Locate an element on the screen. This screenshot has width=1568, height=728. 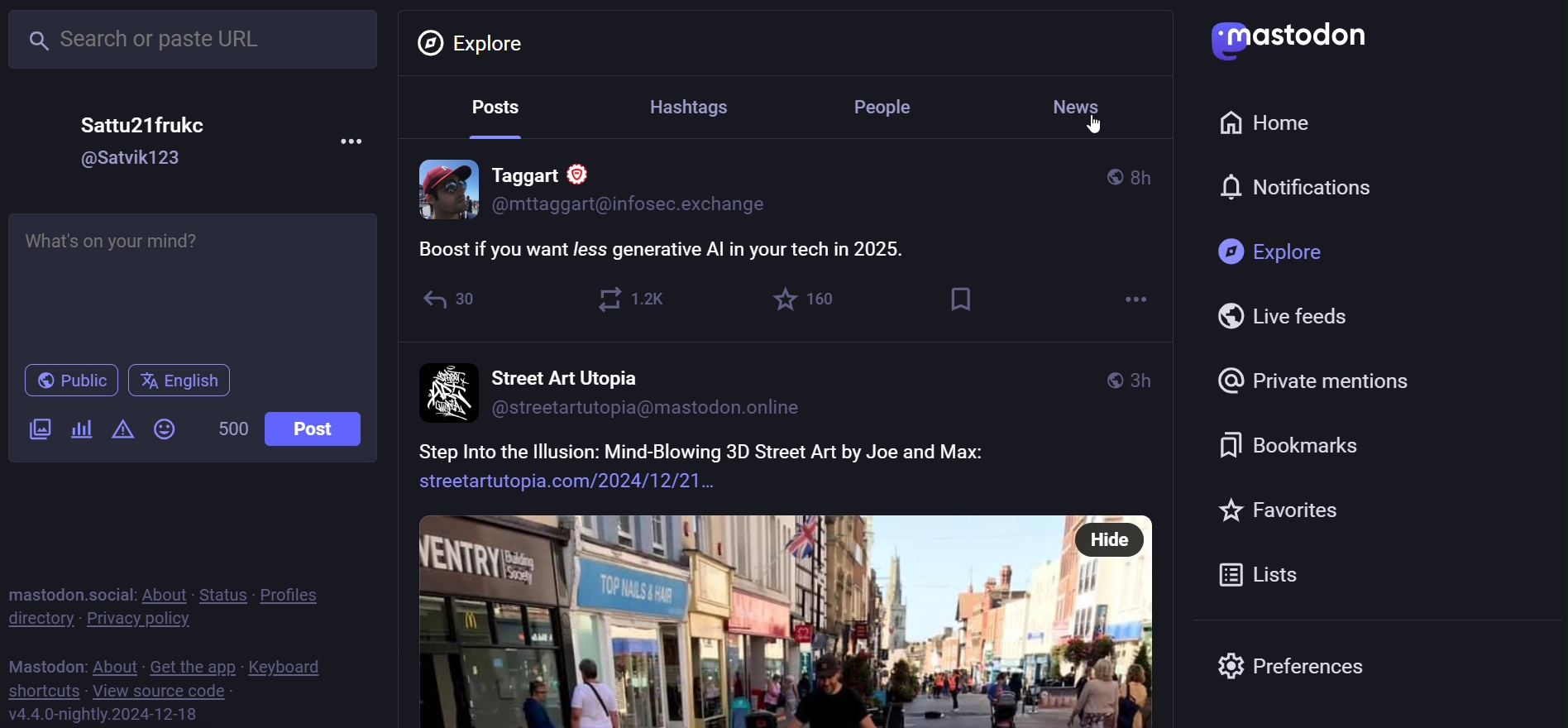
profile picture is located at coordinates (439, 191).